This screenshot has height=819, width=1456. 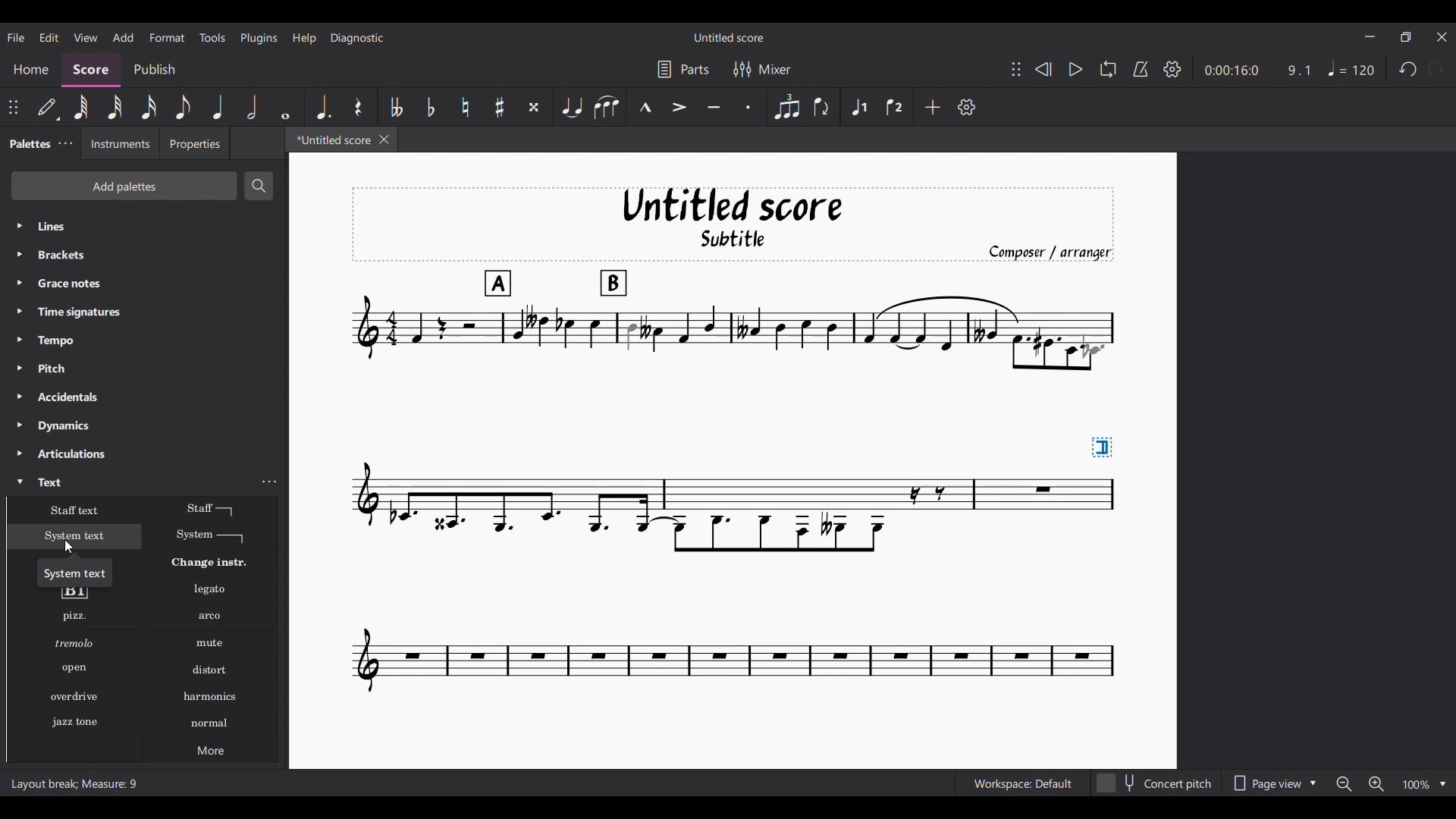 What do you see at coordinates (211, 509) in the screenshot?
I see `Staff text line` at bounding box center [211, 509].